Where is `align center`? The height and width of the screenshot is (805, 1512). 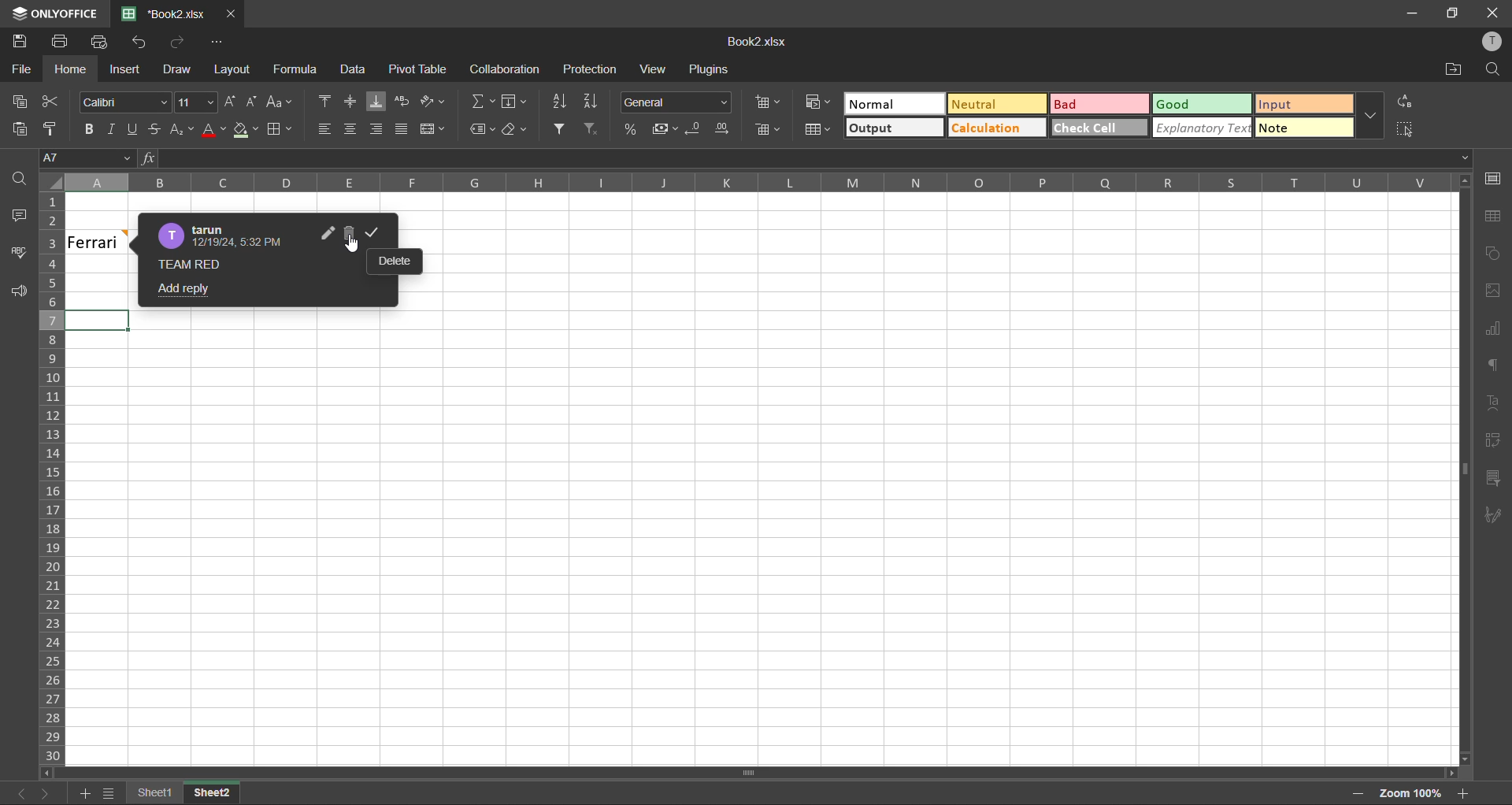 align center is located at coordinates (353, 100).